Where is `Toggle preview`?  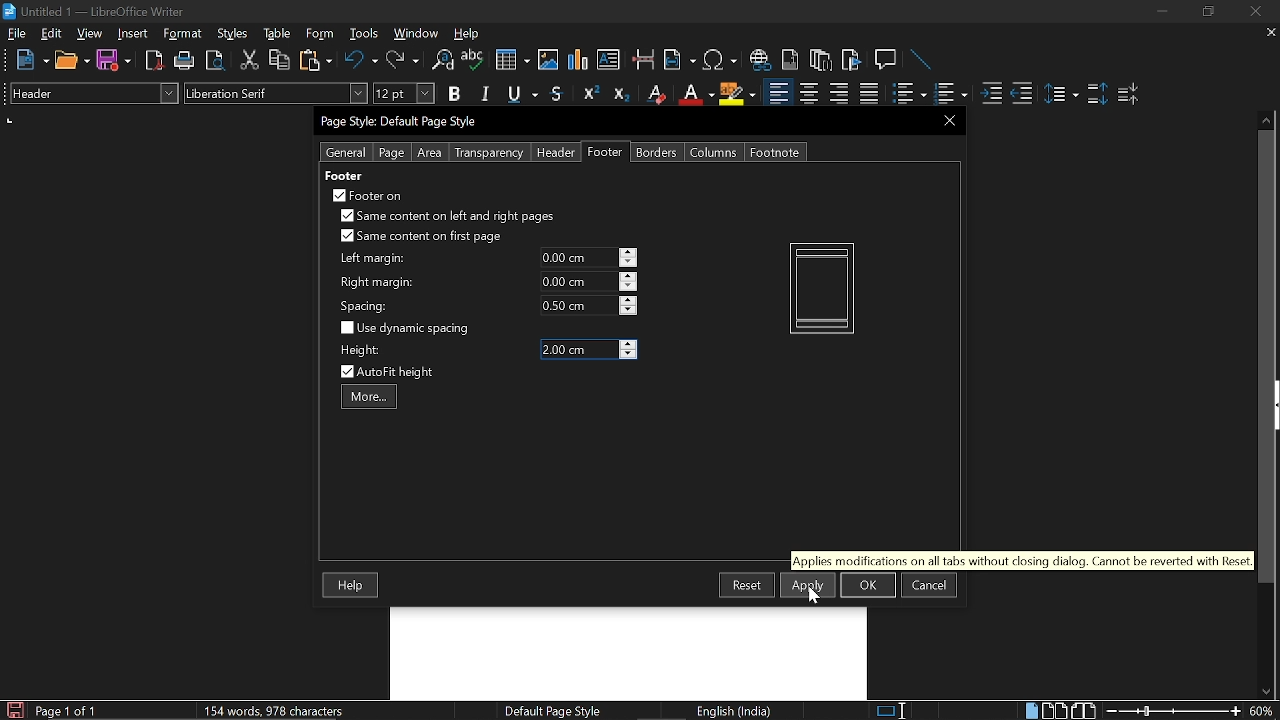 Toggle preview is located at coordinates (214, 61).